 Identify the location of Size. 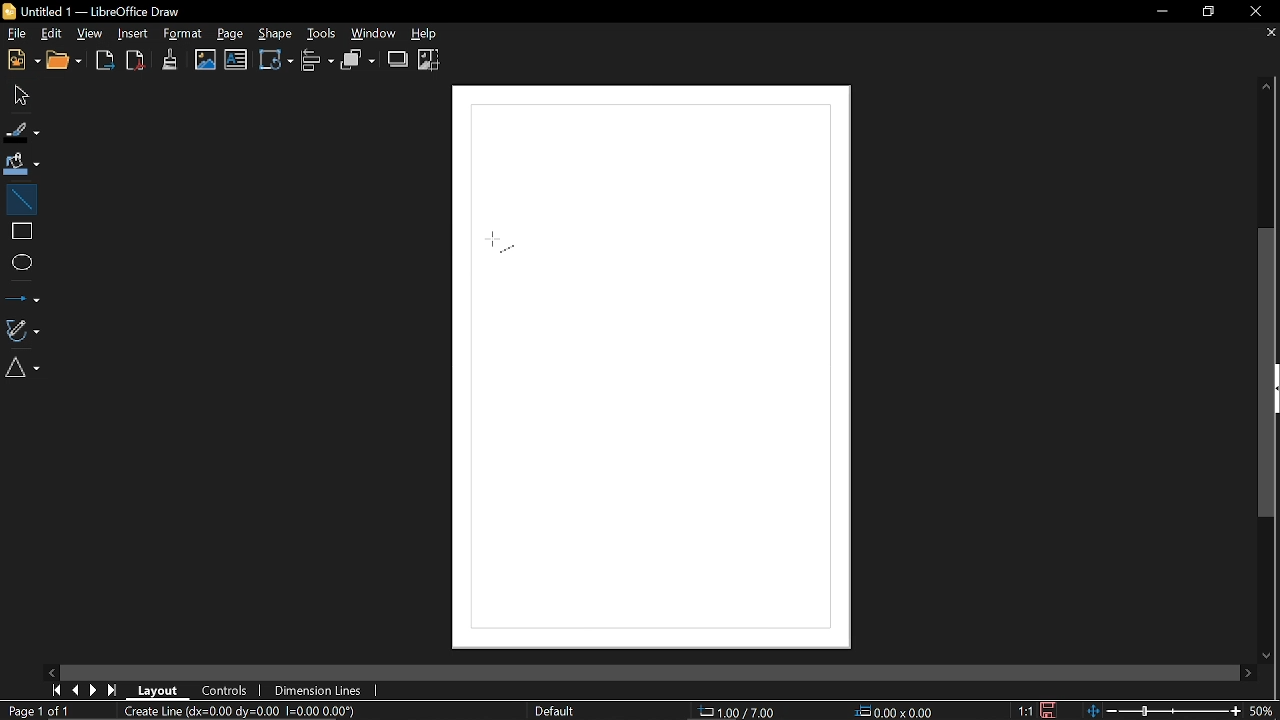
(903, 710).